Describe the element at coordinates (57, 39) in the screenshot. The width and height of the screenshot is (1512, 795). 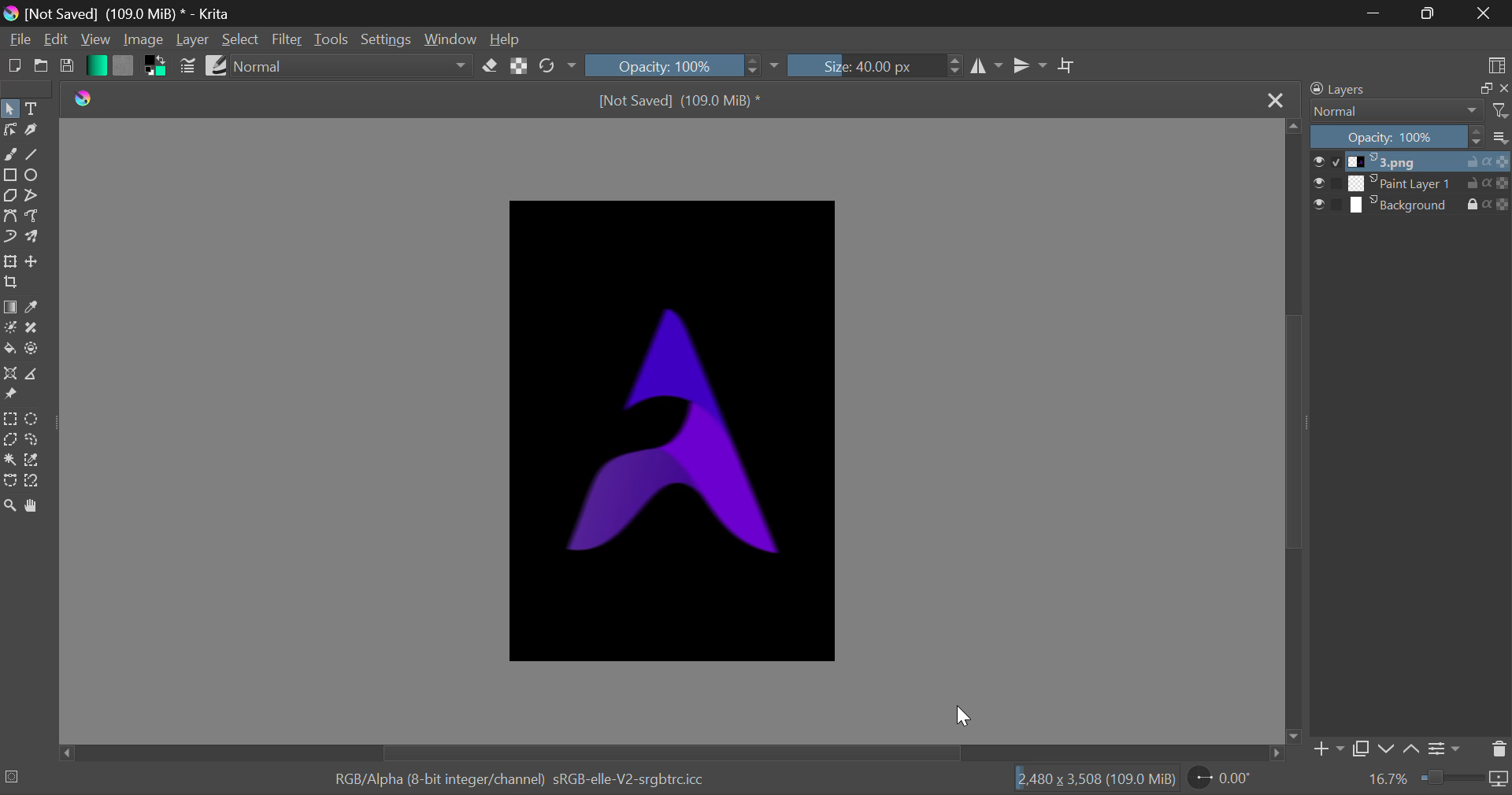
I see `Edit` at that location.